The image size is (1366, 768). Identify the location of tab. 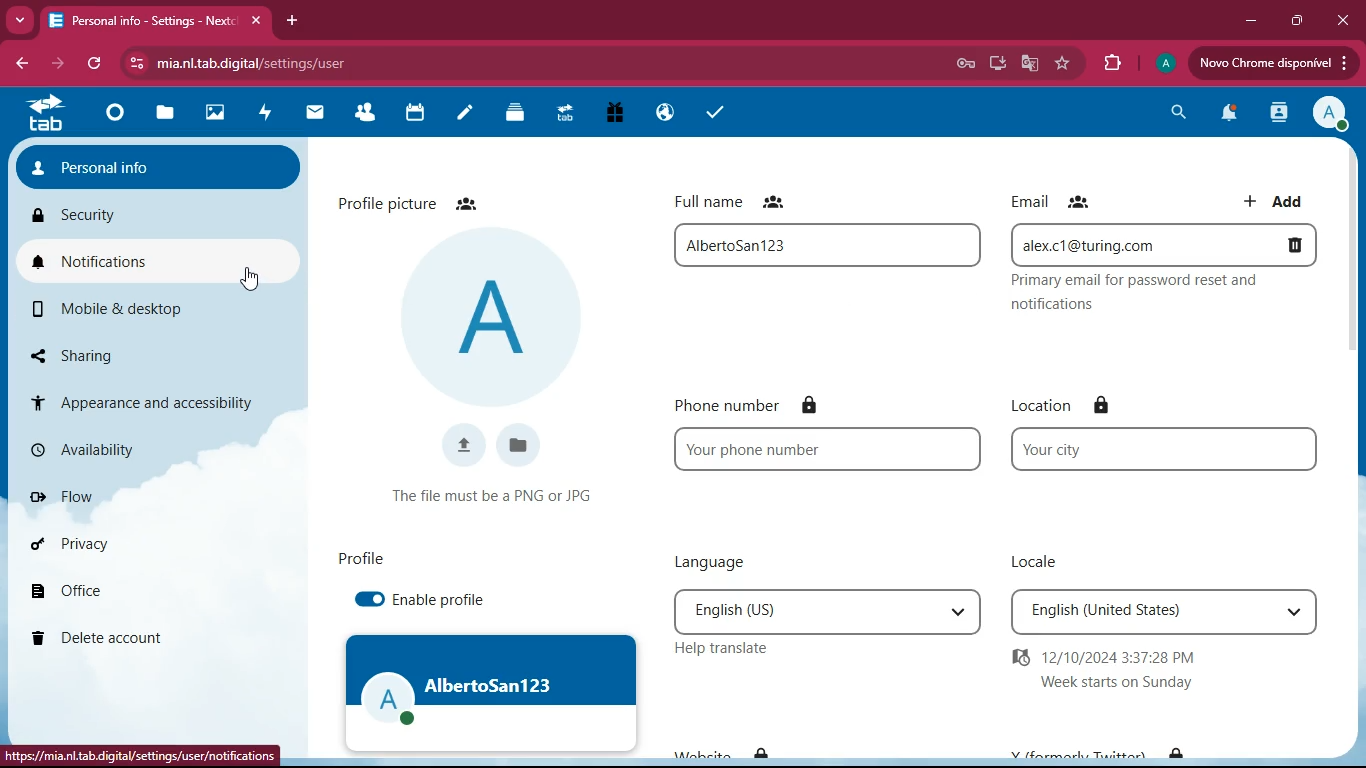
(44, 114).